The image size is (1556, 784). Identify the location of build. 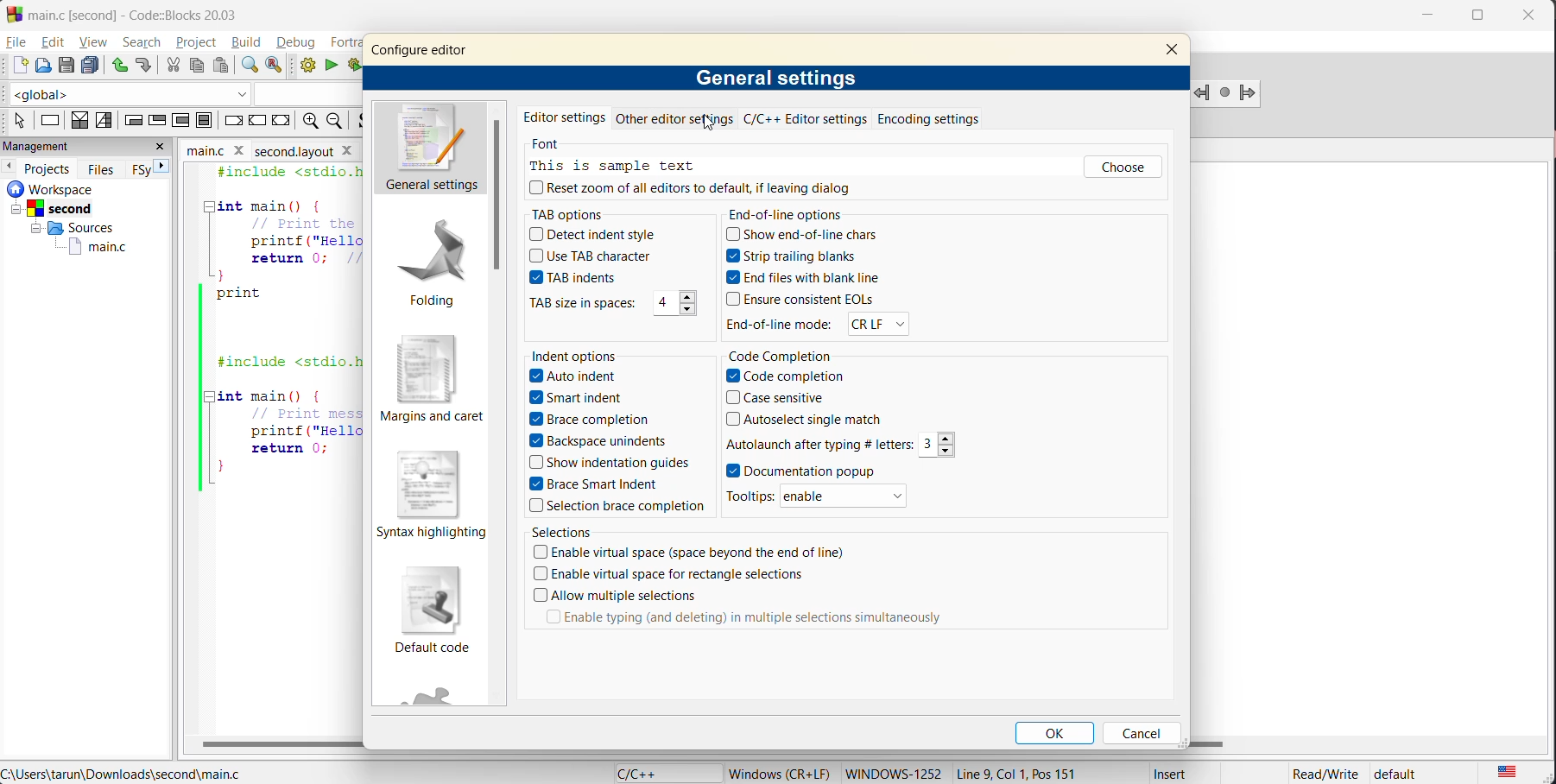
(249, 42).